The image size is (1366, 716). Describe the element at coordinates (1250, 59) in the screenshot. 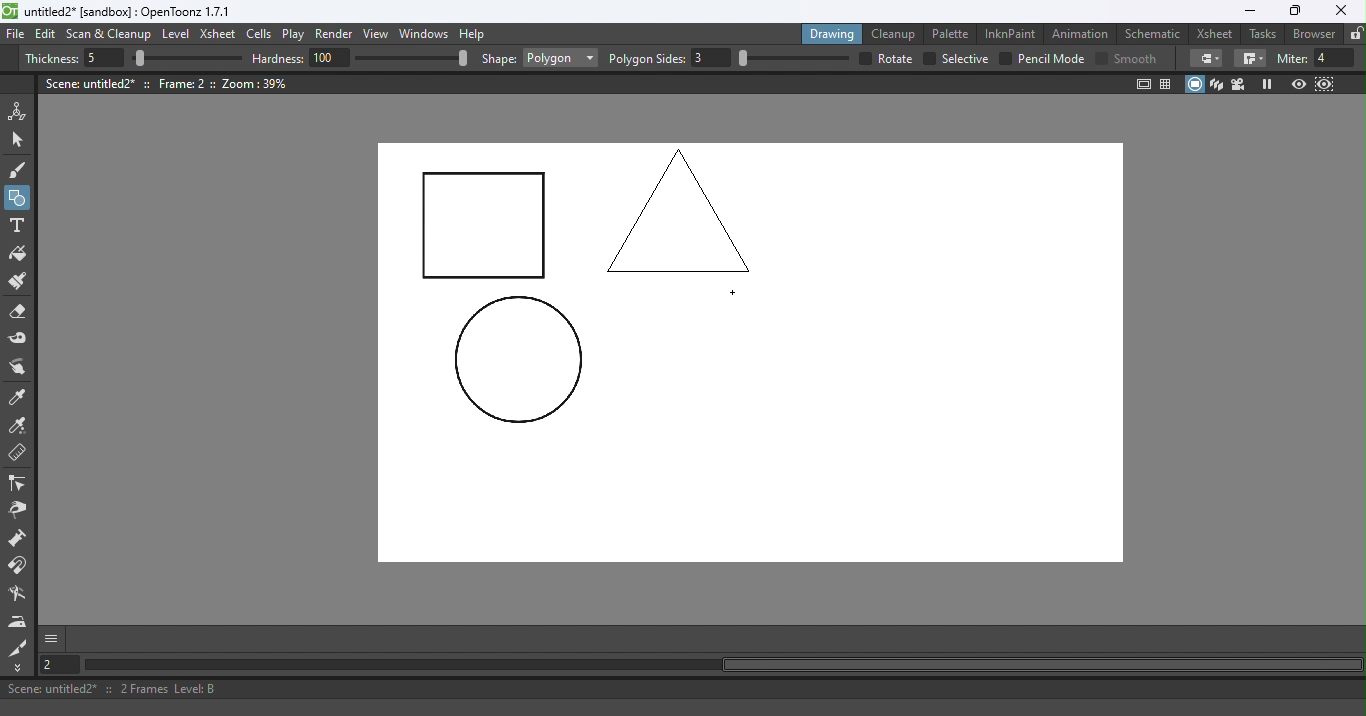

I see `Border corners` at that location.